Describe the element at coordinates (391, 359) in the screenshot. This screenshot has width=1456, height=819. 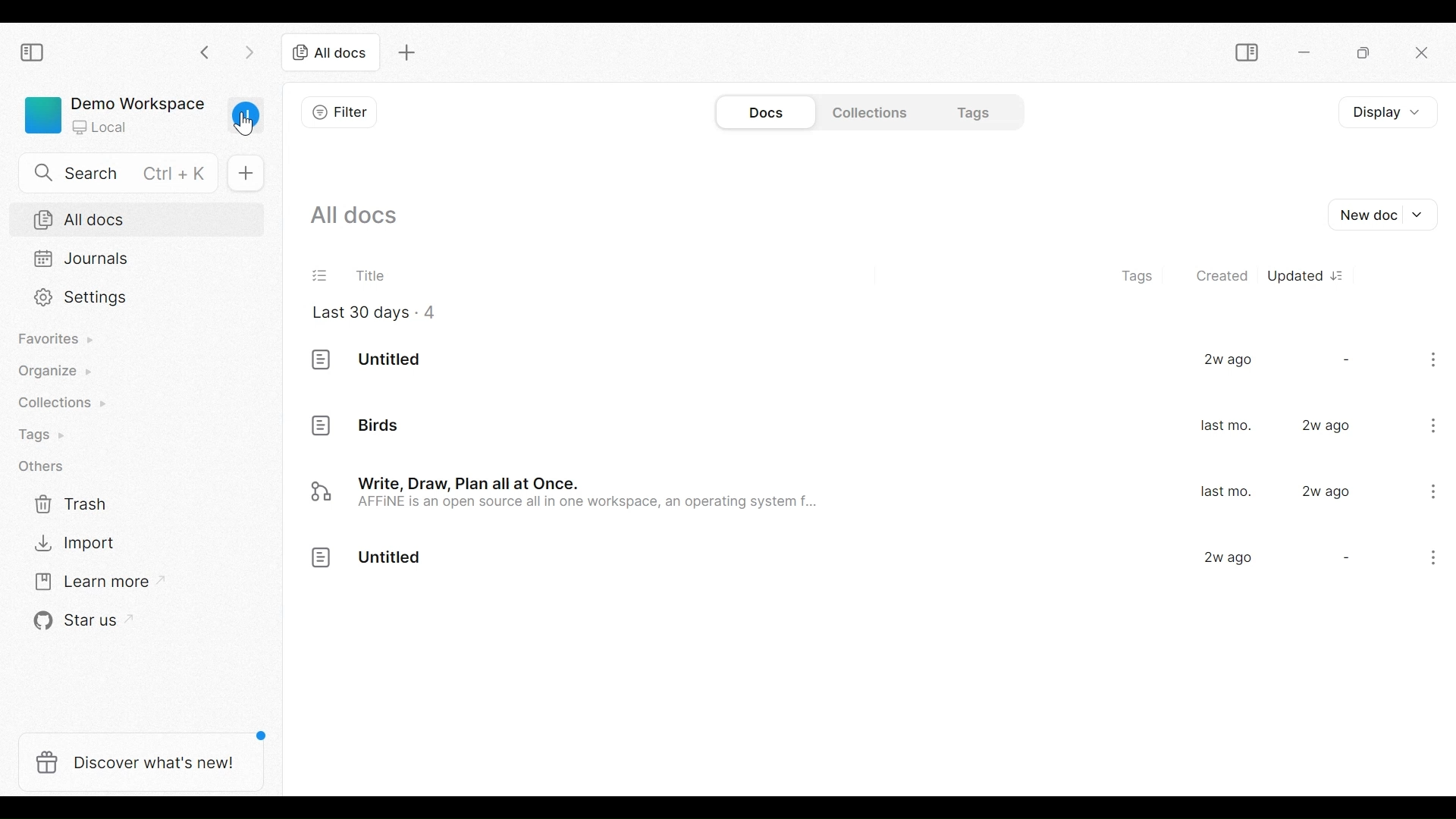
I see `Untitled` at that location.